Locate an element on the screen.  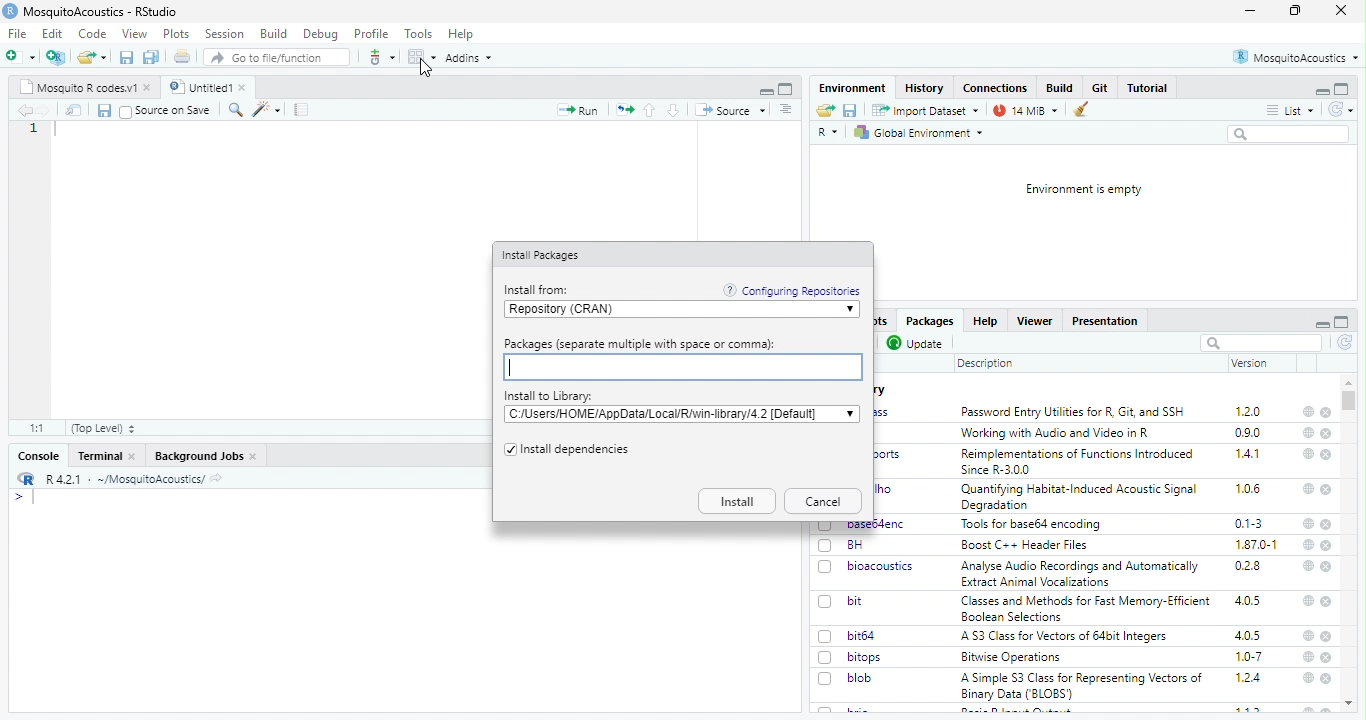
web is located at coordinates (1308, 566).